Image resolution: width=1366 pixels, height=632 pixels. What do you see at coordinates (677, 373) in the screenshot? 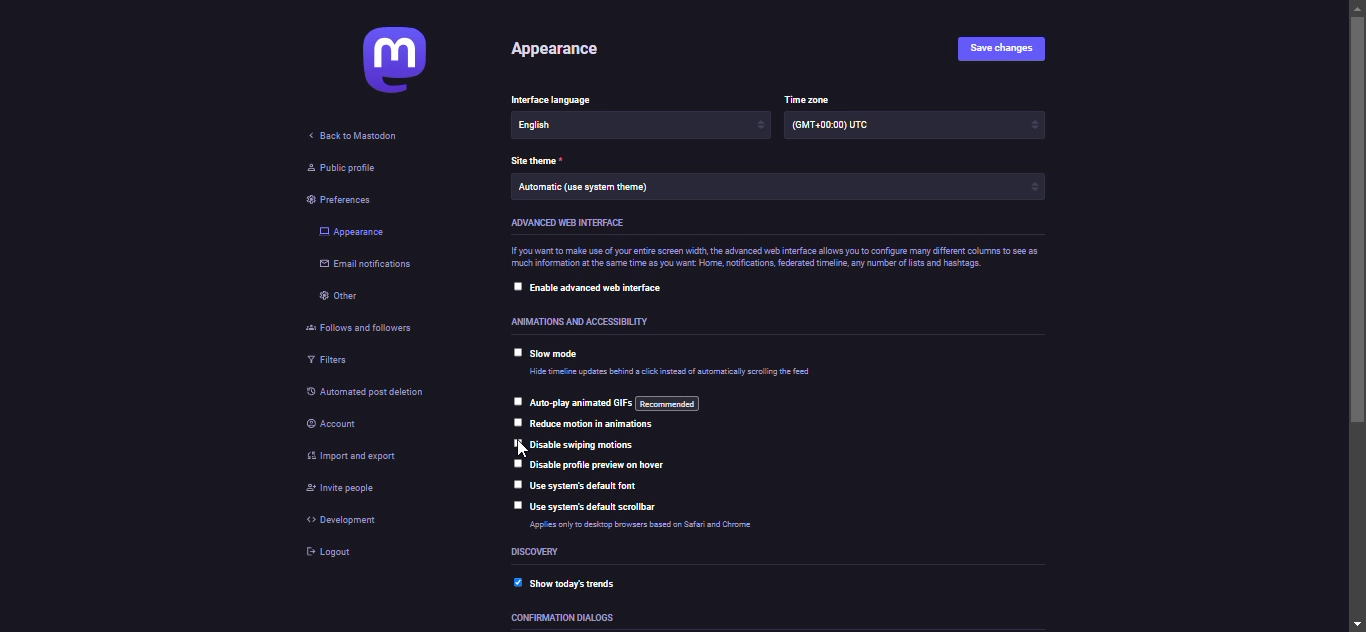
I see `info` at bounding box center [677, 373].